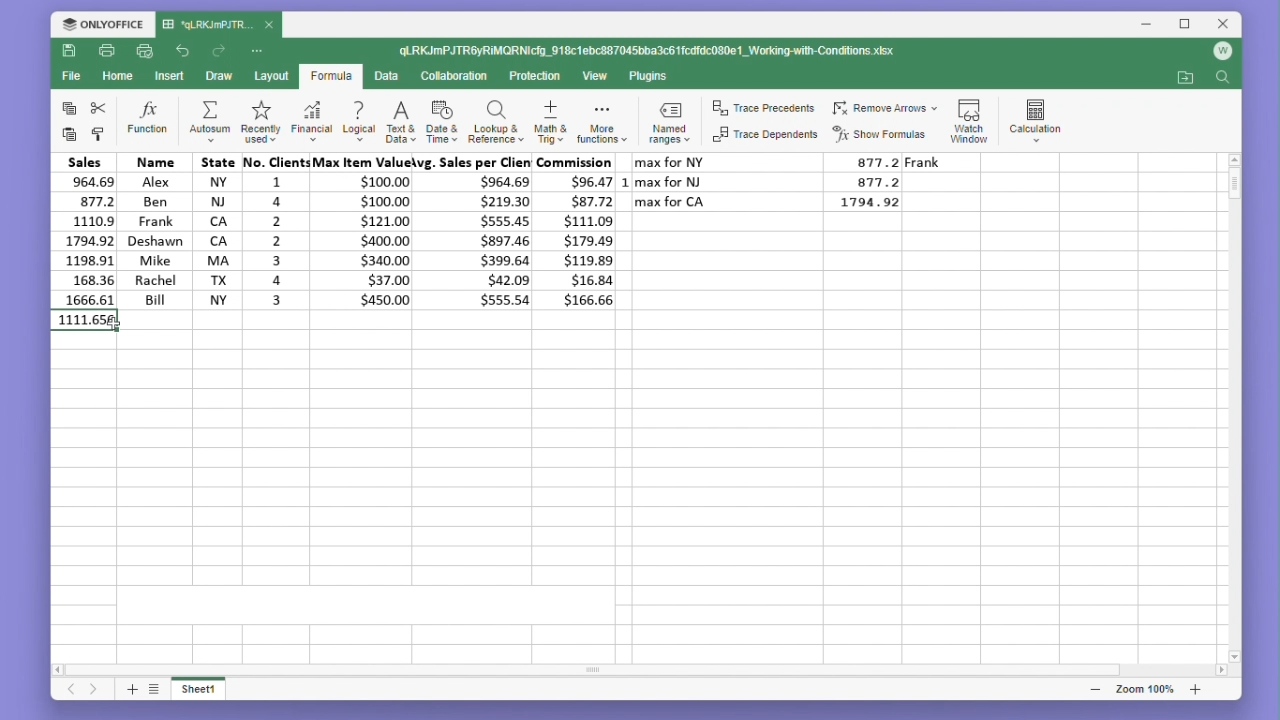 The height and width of the screenshot is (720, 1280). Describe the element at coordinates (1218, 25) in the screenshot. I see `Close` at that location.